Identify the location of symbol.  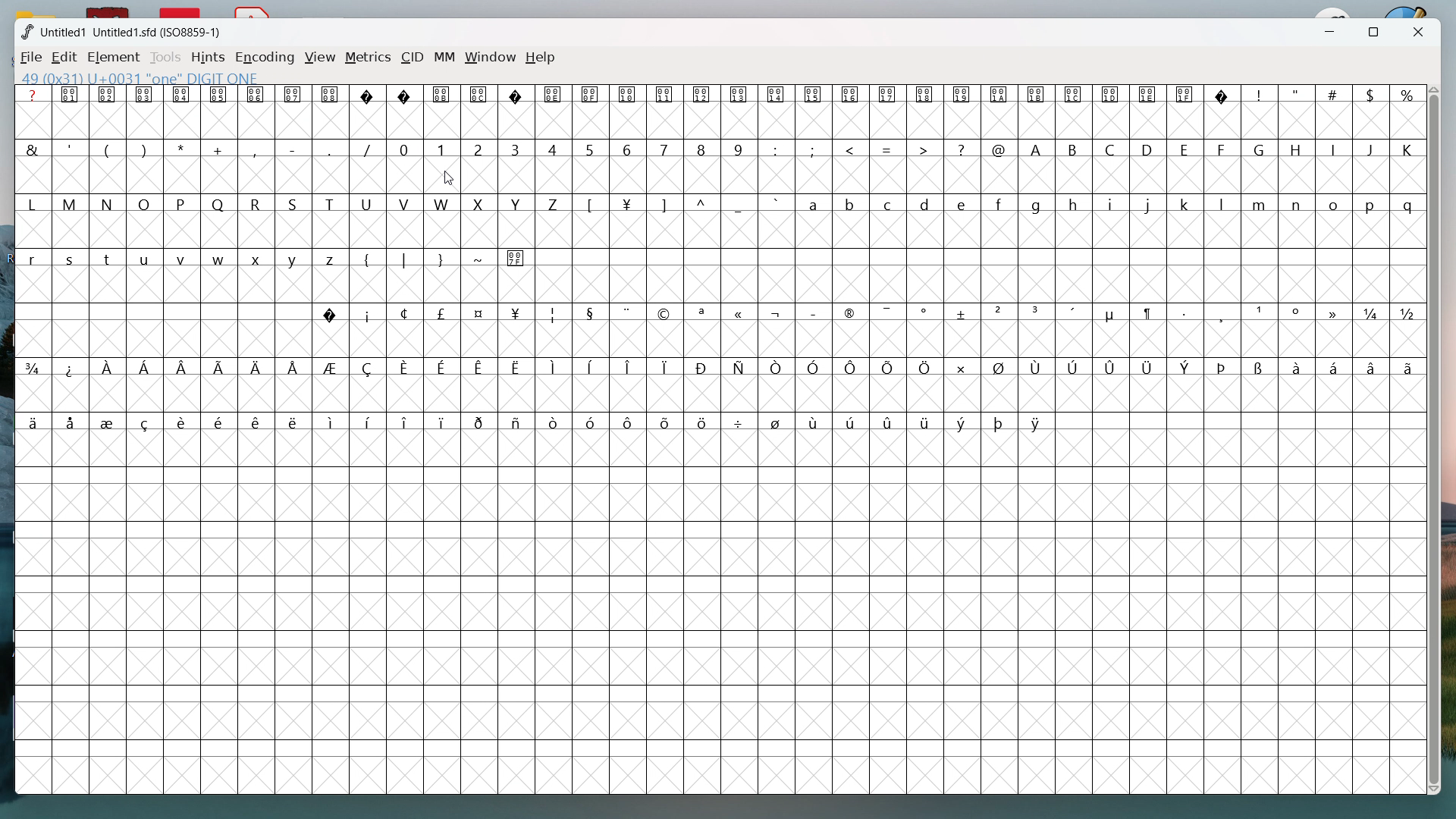
(817, 422).